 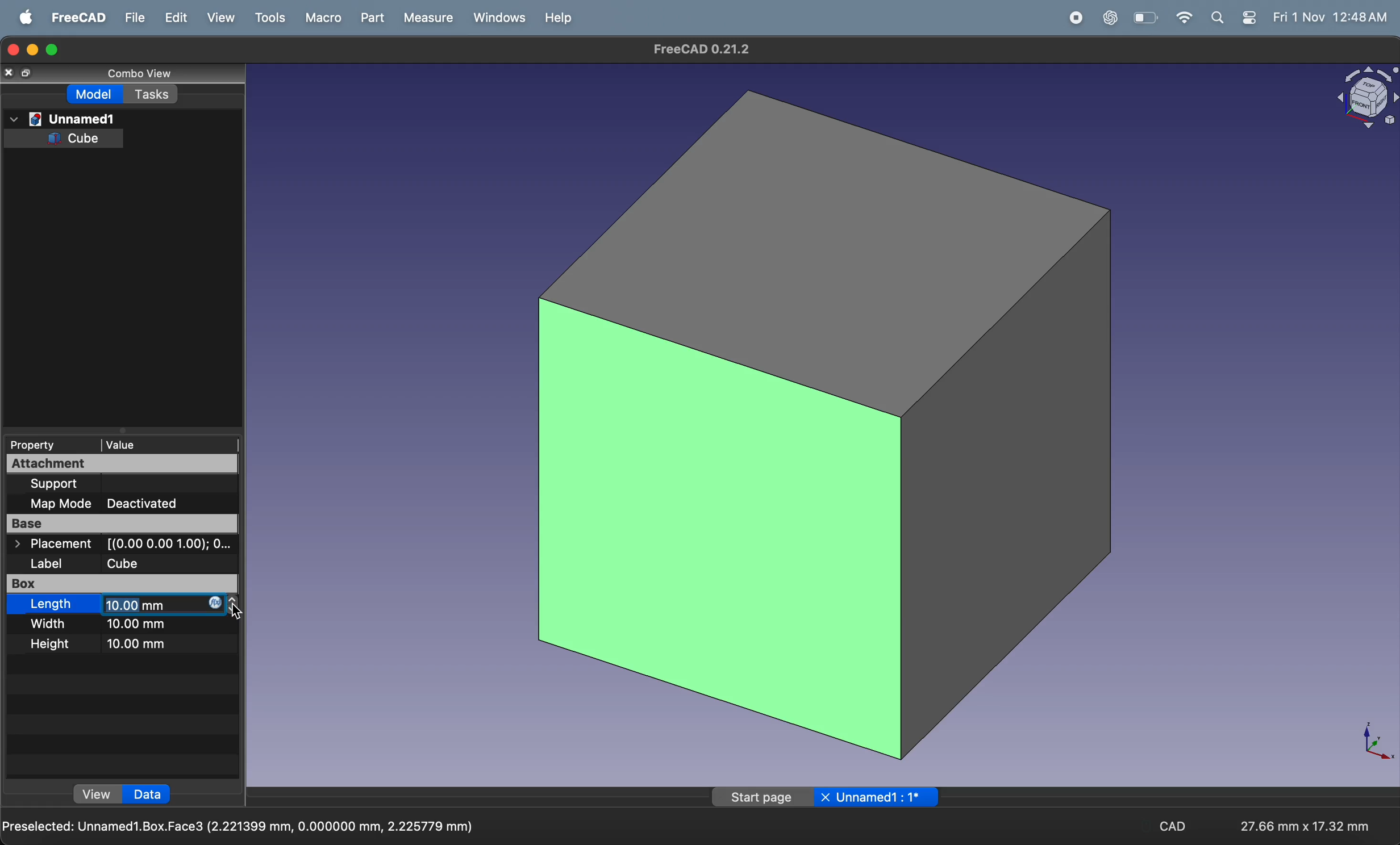 What do you see at coordinates (65, 483) in the screenshot?
I see `support` at bounding box center [65, 483].